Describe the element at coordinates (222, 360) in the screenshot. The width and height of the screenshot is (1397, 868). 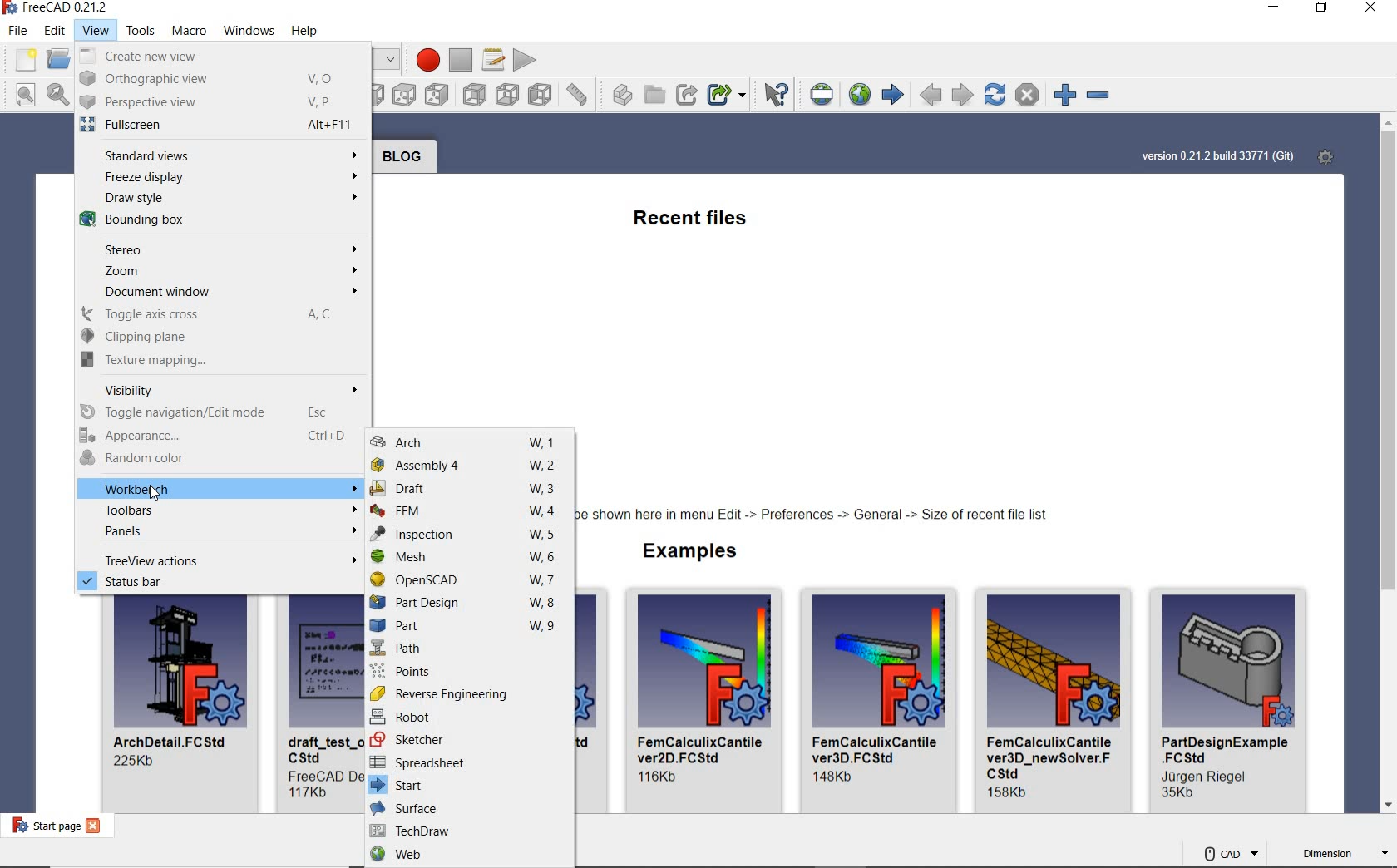
I see `texture mapping` at that location.